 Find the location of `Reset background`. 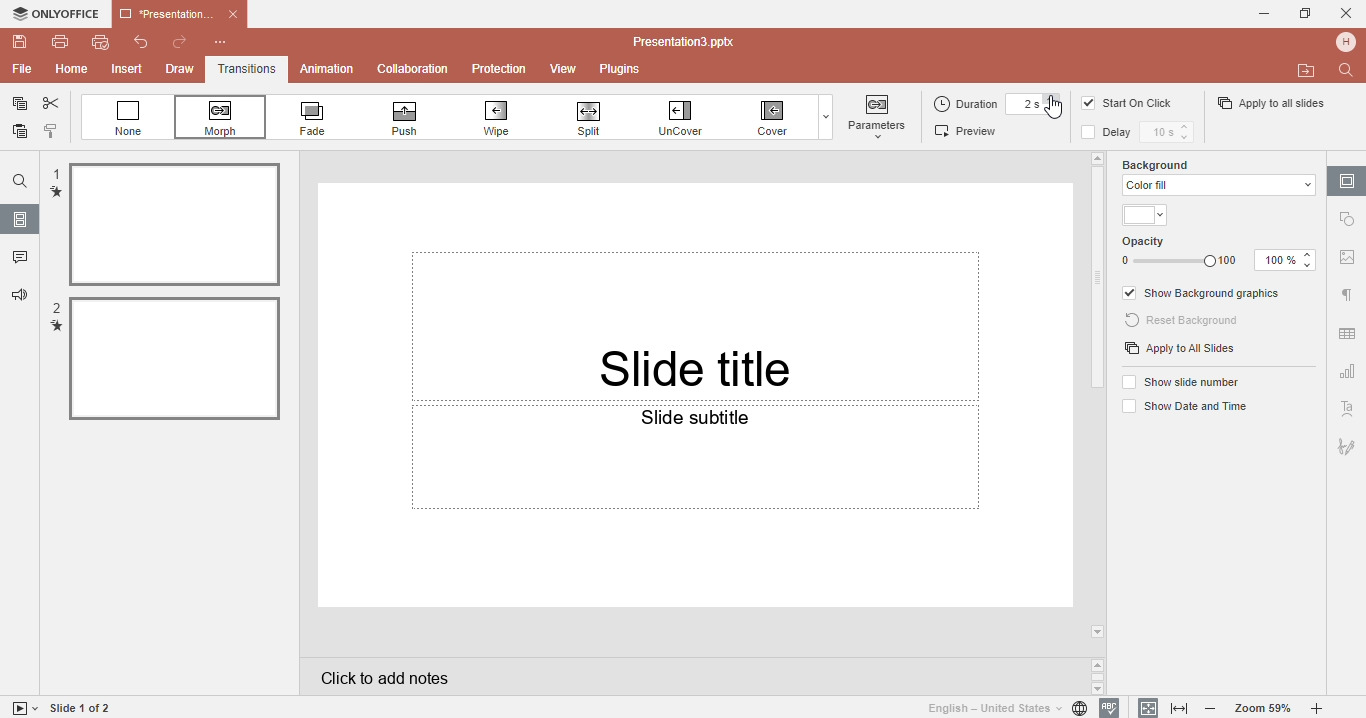

Reset background is located at coordinates (1185, 321).